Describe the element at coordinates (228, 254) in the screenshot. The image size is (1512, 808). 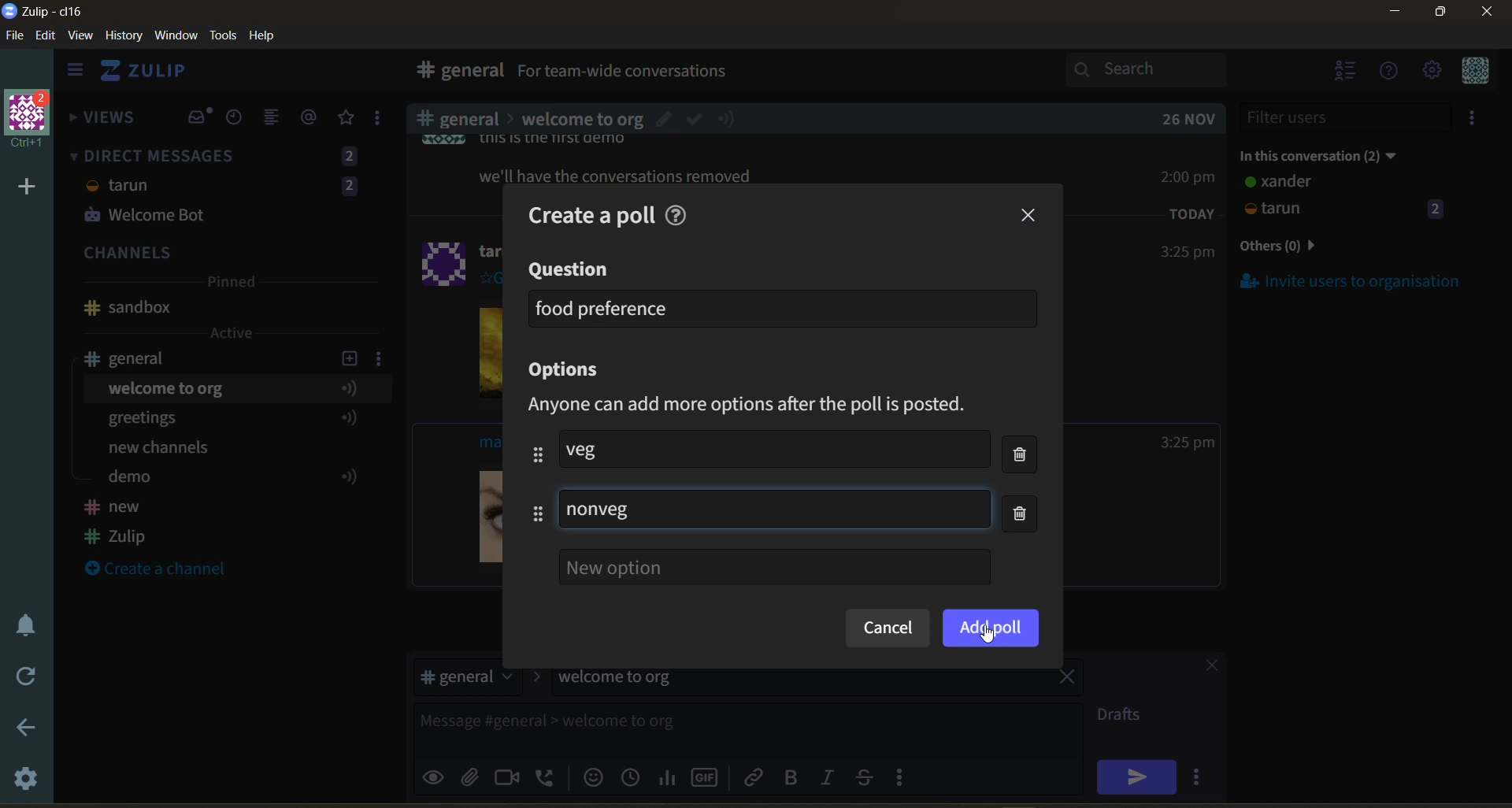
I see `channels` at that location.